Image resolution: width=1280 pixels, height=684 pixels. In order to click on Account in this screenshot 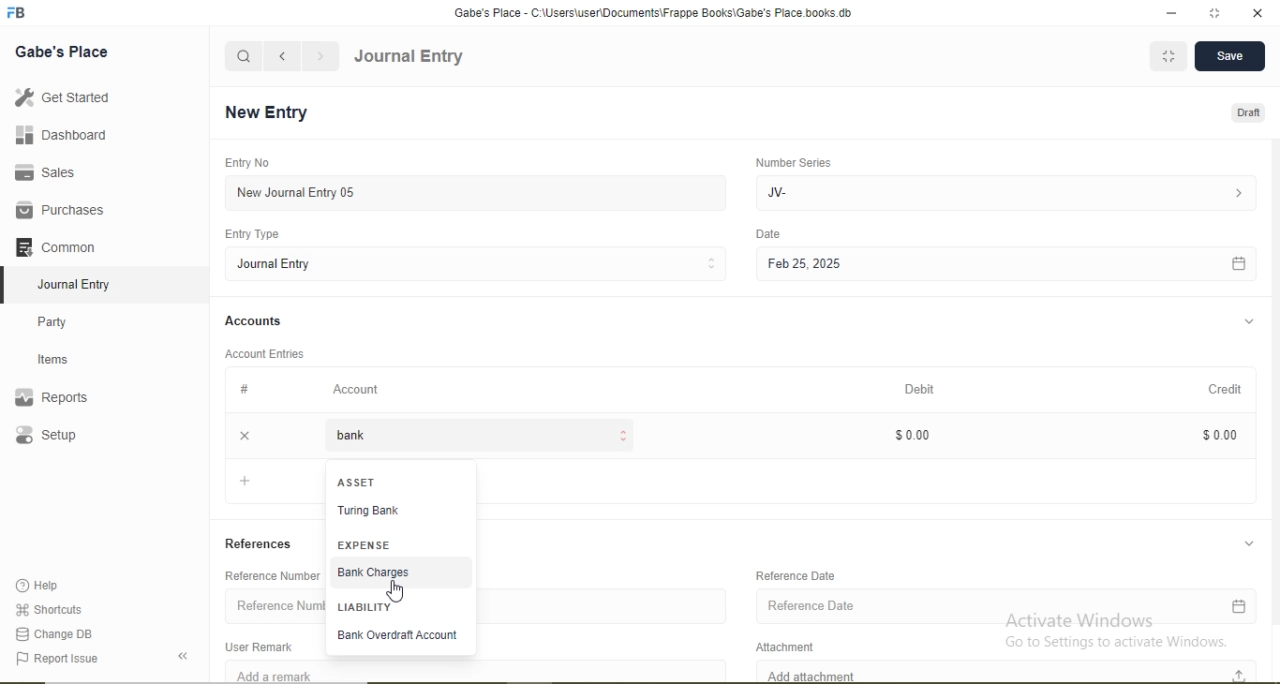, I will do `click(357, 389)`.